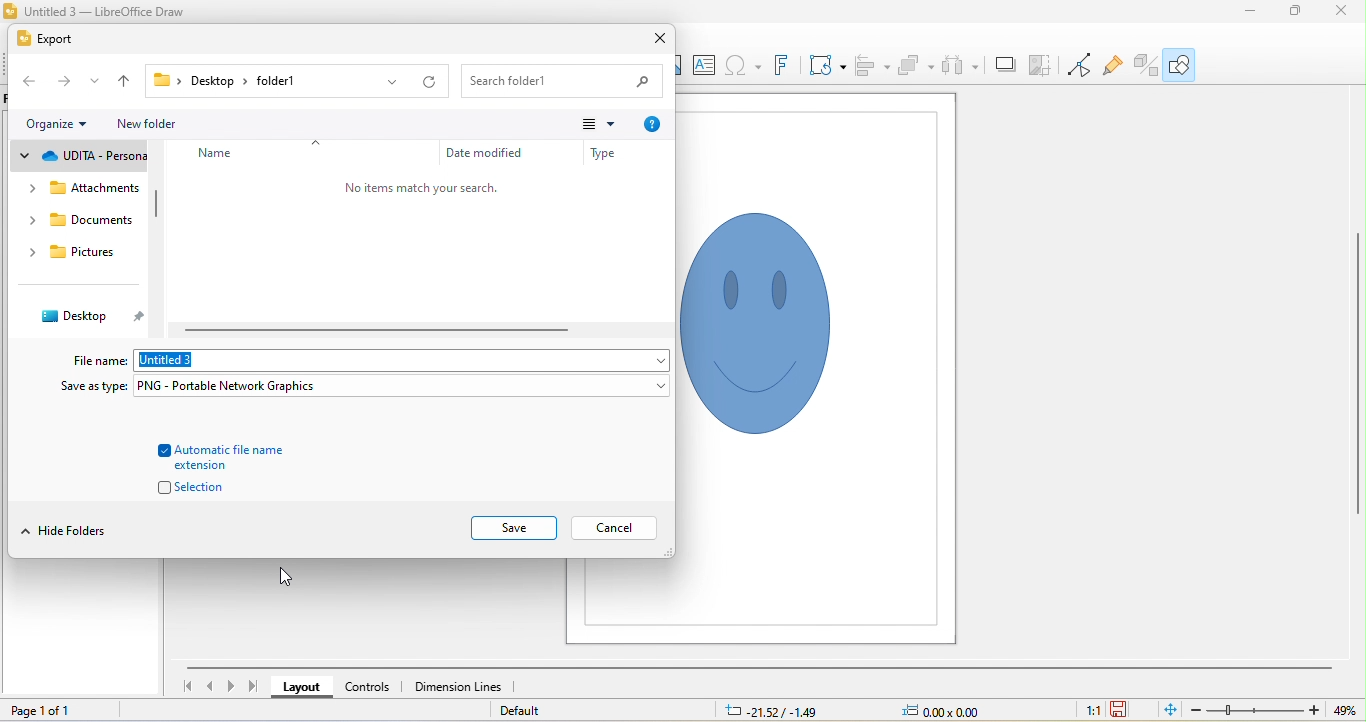  Describe the element at coordinates (191, 686) in the screenshot. I see `first slide` at that location.